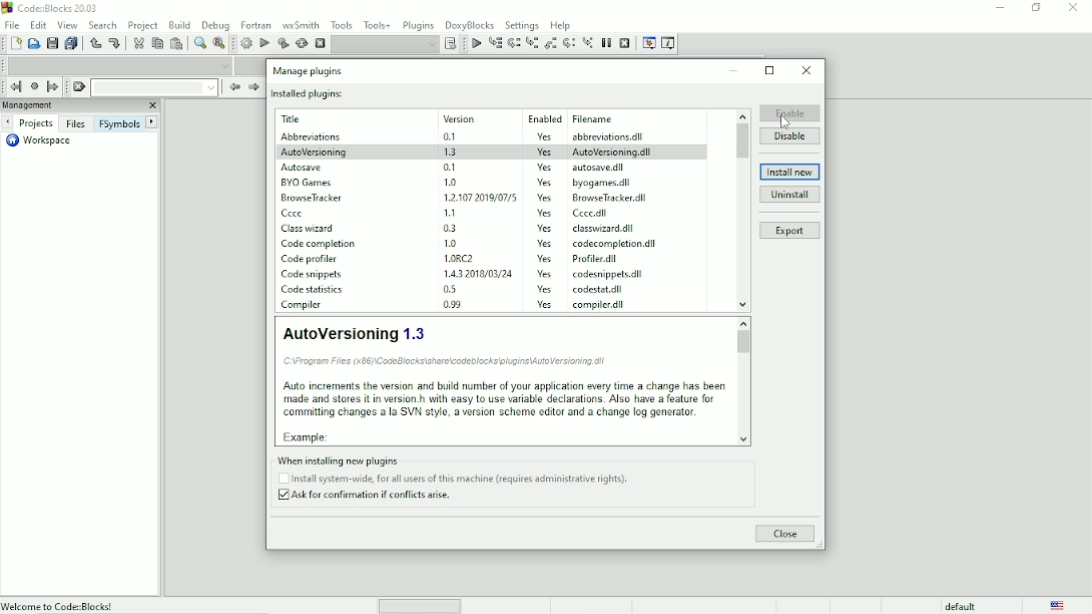  Describe the element at coordinates (449, 44) in the screenshot. I see `Show the select target dialog` at that location.